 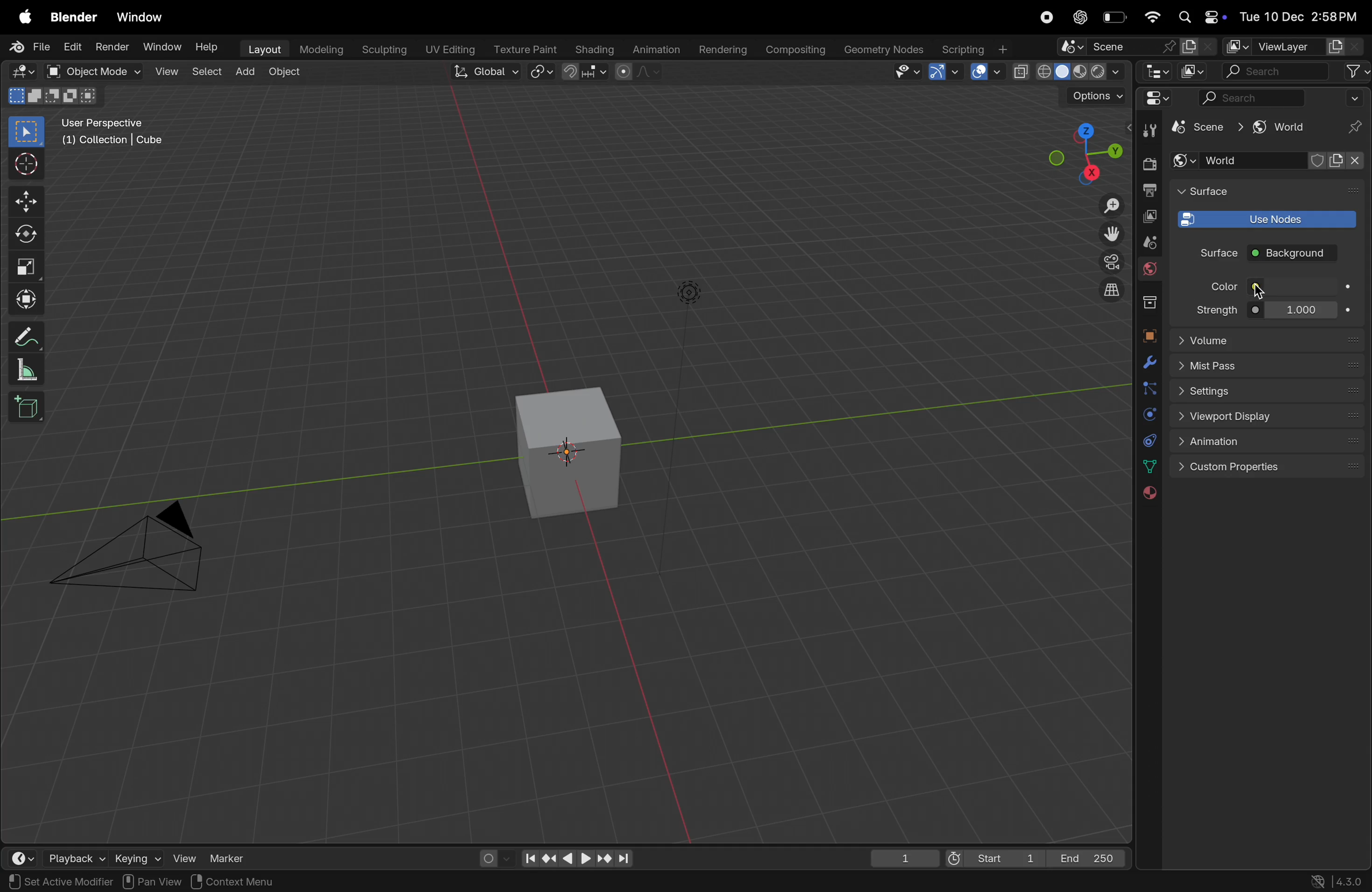 I want to click on Strength, so click(x=1213, y=309).